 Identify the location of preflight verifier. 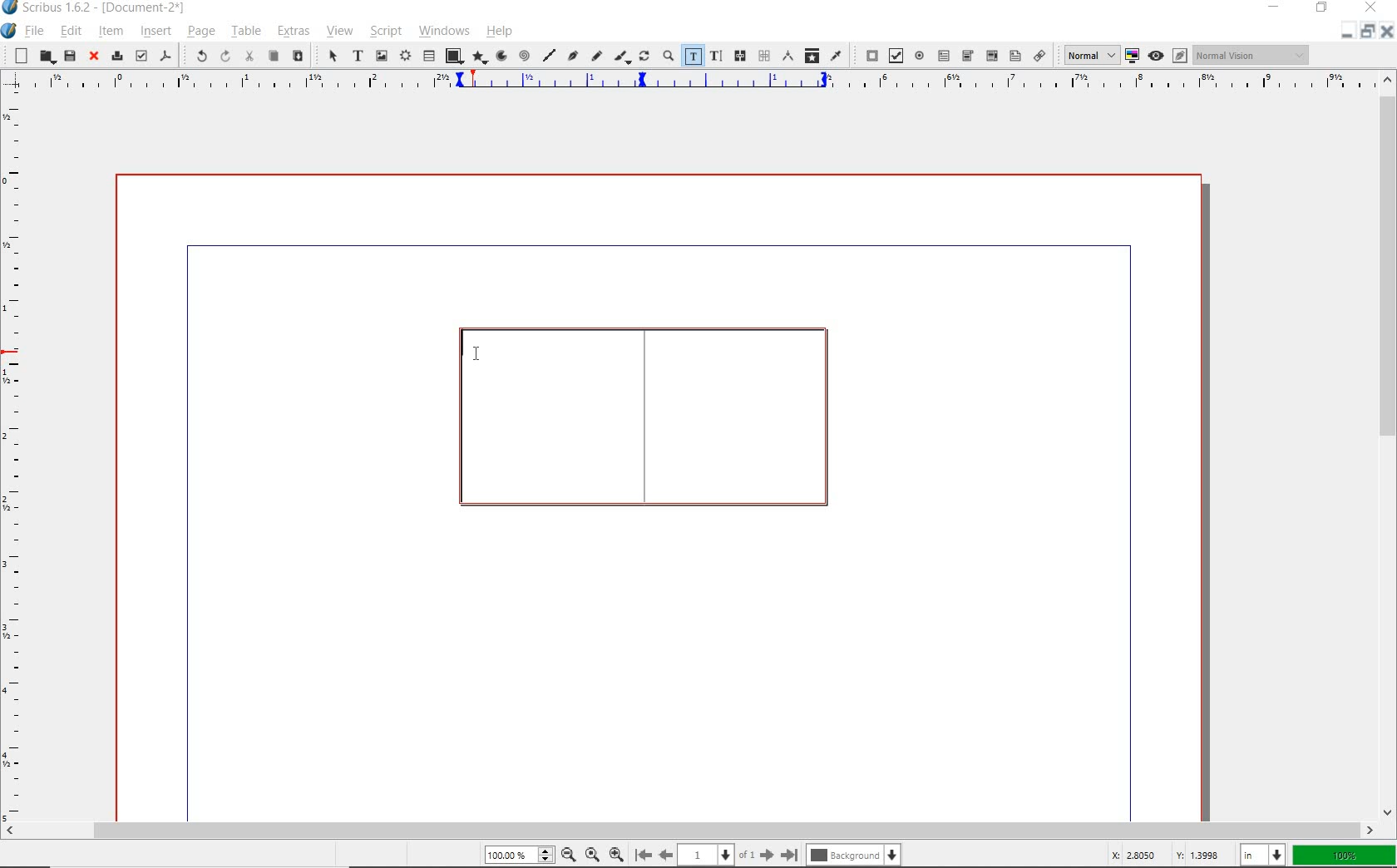
(141, 55).